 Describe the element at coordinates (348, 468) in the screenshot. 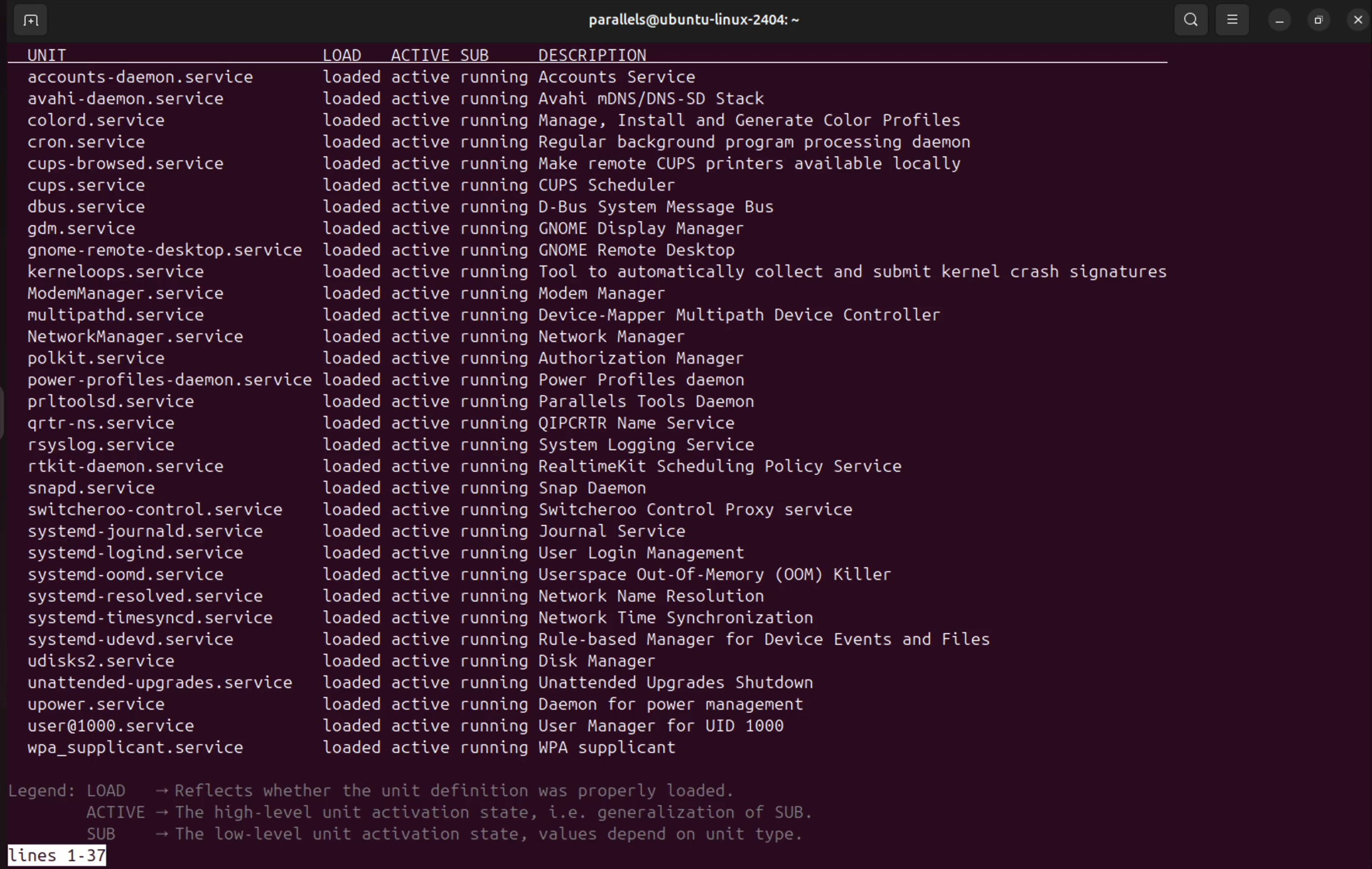

I see `loaded` at that location.